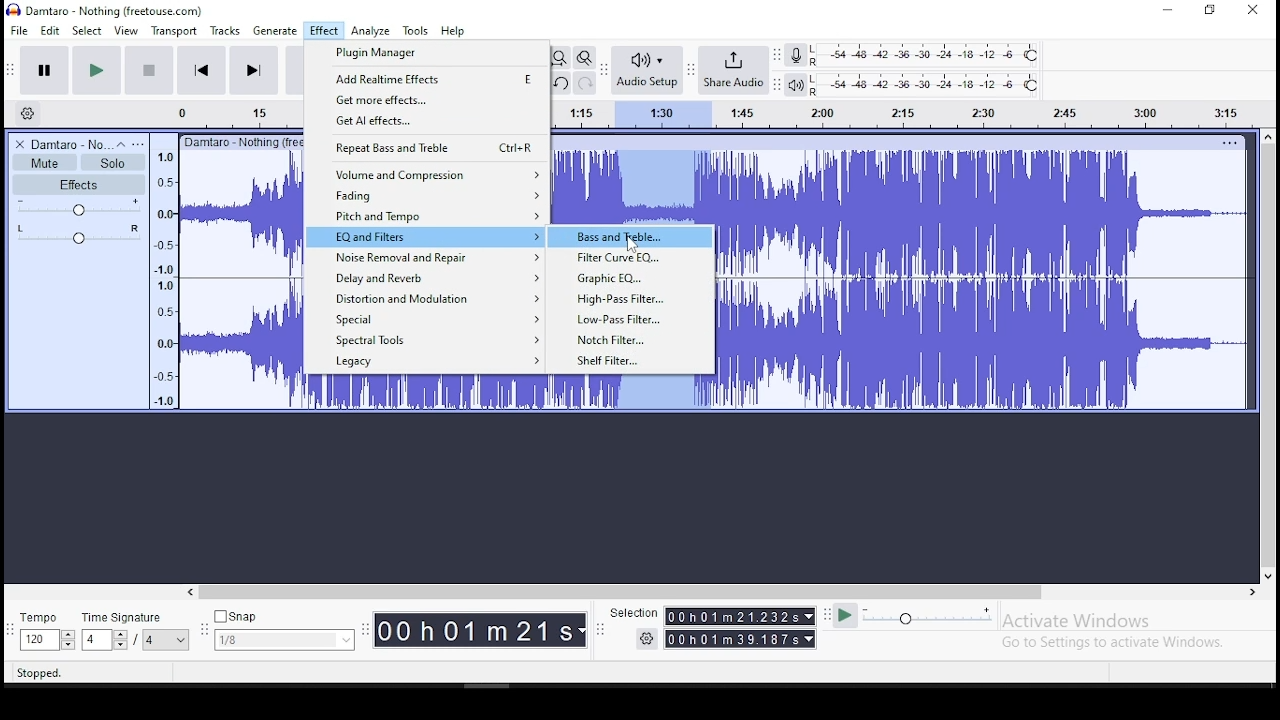  Describe the element at coordinates (583, 631) in the screenshot. I see `drop down` at that location.